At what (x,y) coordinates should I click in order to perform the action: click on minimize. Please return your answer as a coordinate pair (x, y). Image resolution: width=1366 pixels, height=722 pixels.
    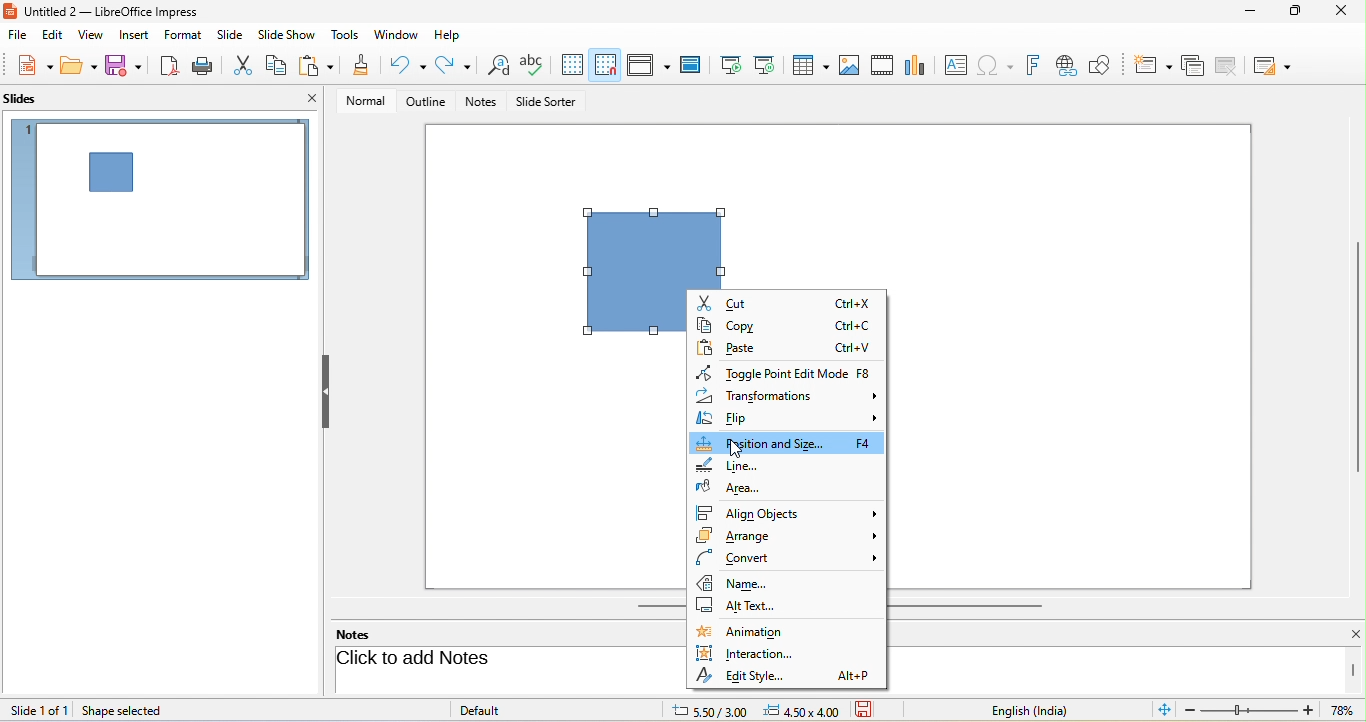
    Looking at the image, I should click on (1246, 14).